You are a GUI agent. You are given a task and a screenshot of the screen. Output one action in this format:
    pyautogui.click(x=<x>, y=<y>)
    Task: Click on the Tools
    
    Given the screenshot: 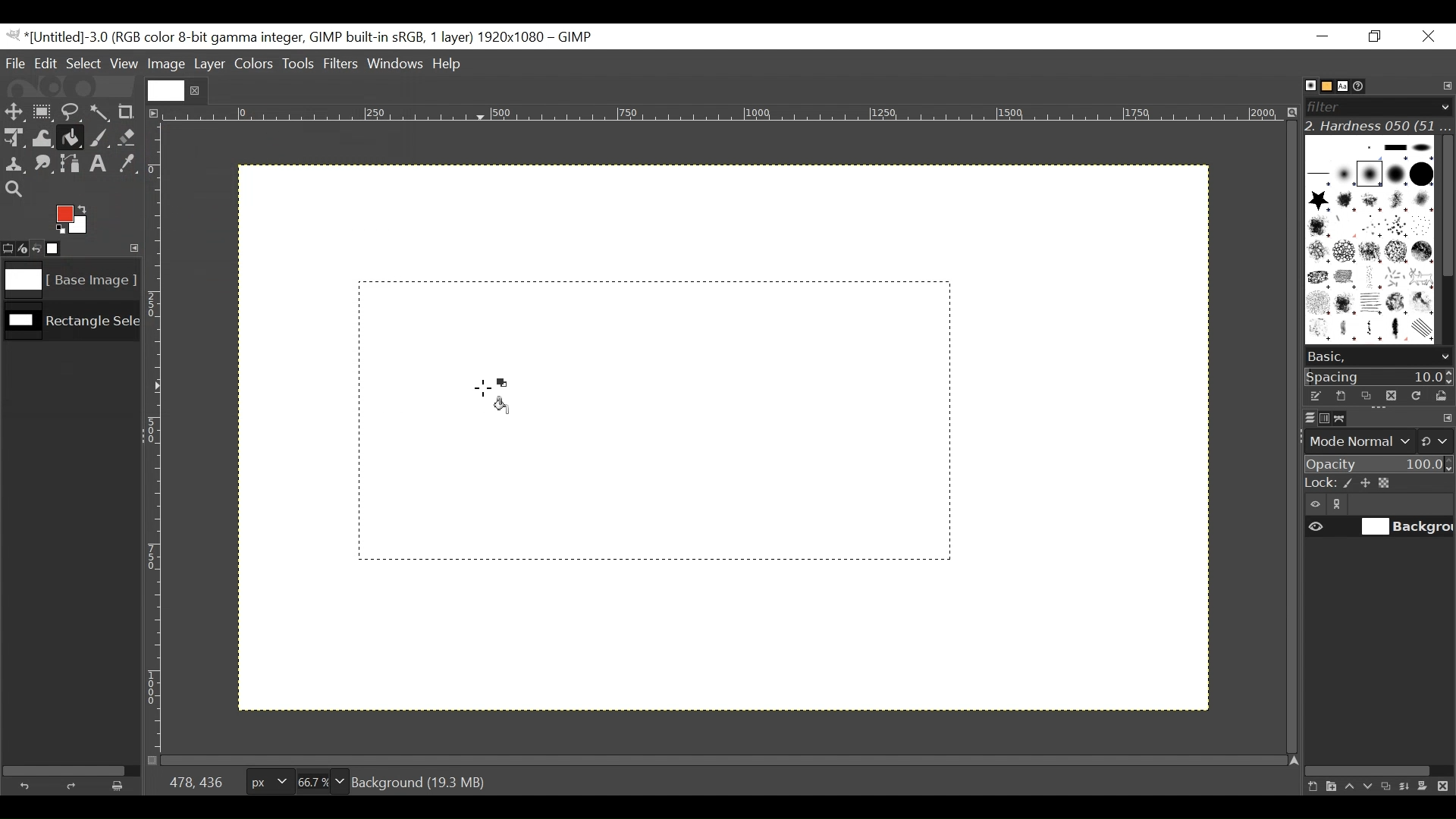 What is the action you would take?
    pyautogui.click(x=300, y=65)
    